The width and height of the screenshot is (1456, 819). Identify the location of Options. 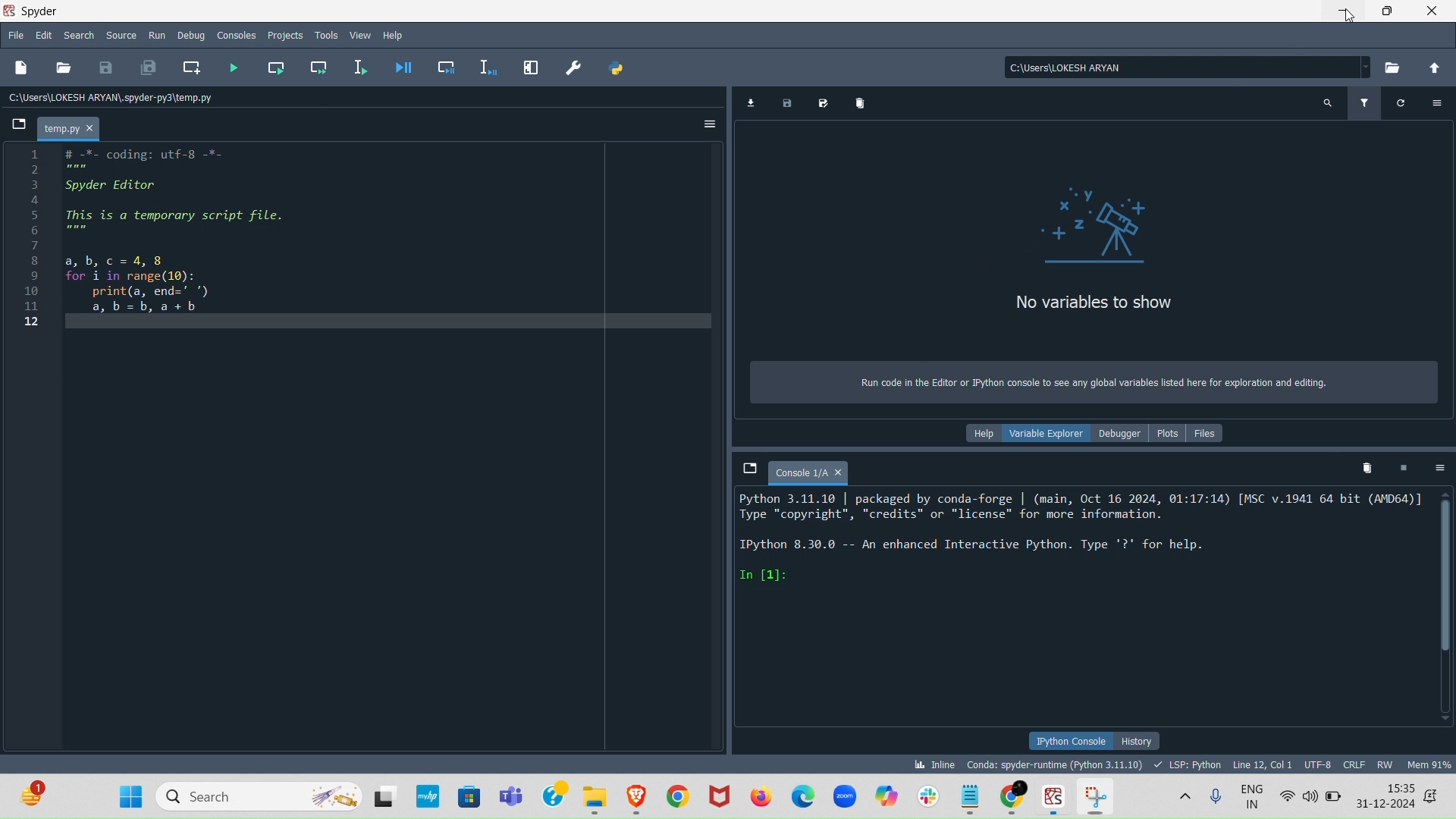
(704, 121).